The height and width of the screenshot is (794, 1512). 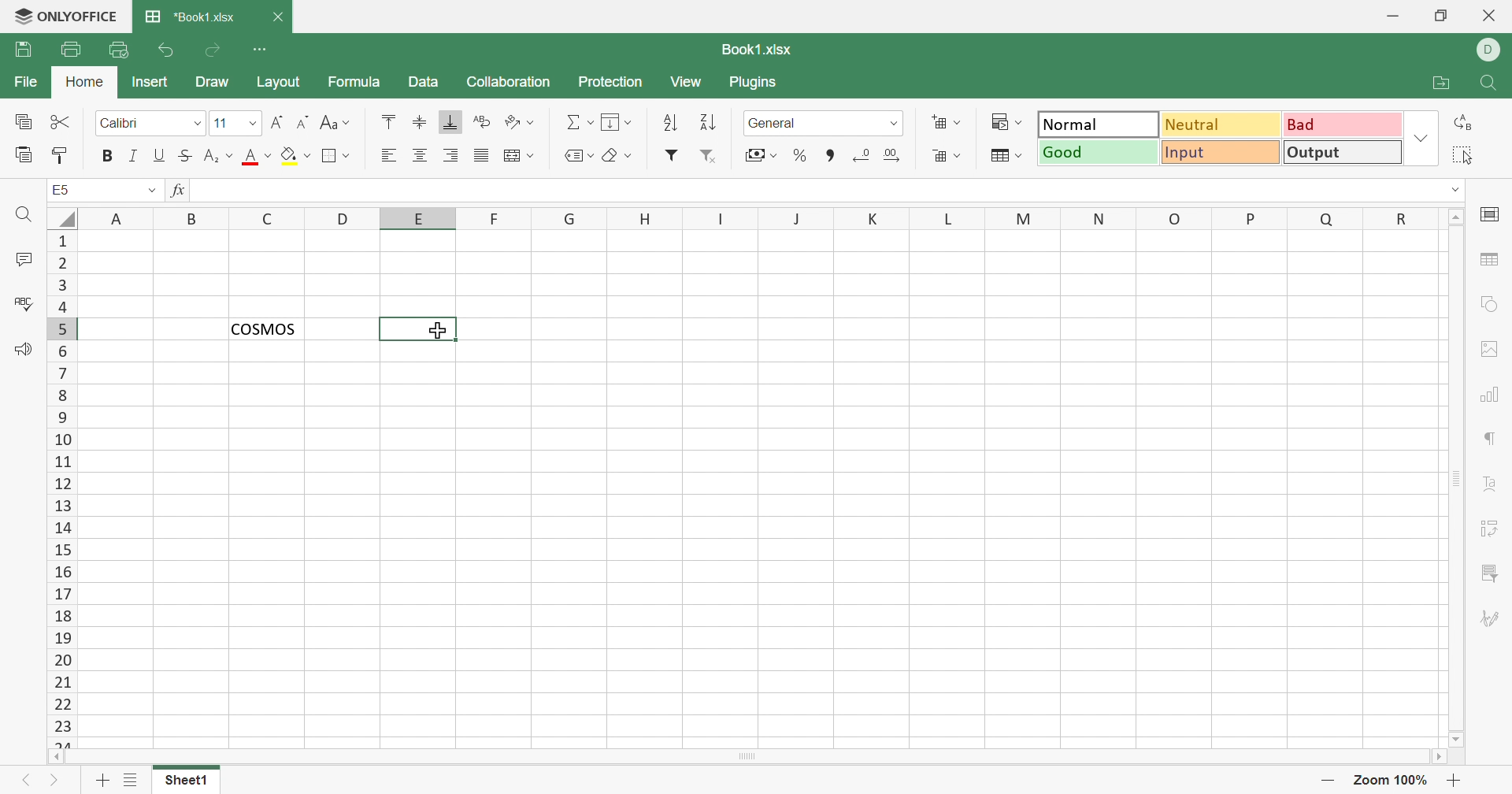 What do you see at coordinates (576, 124) in the screenshot?
I see `Summation` at bounding box center [576, 124].